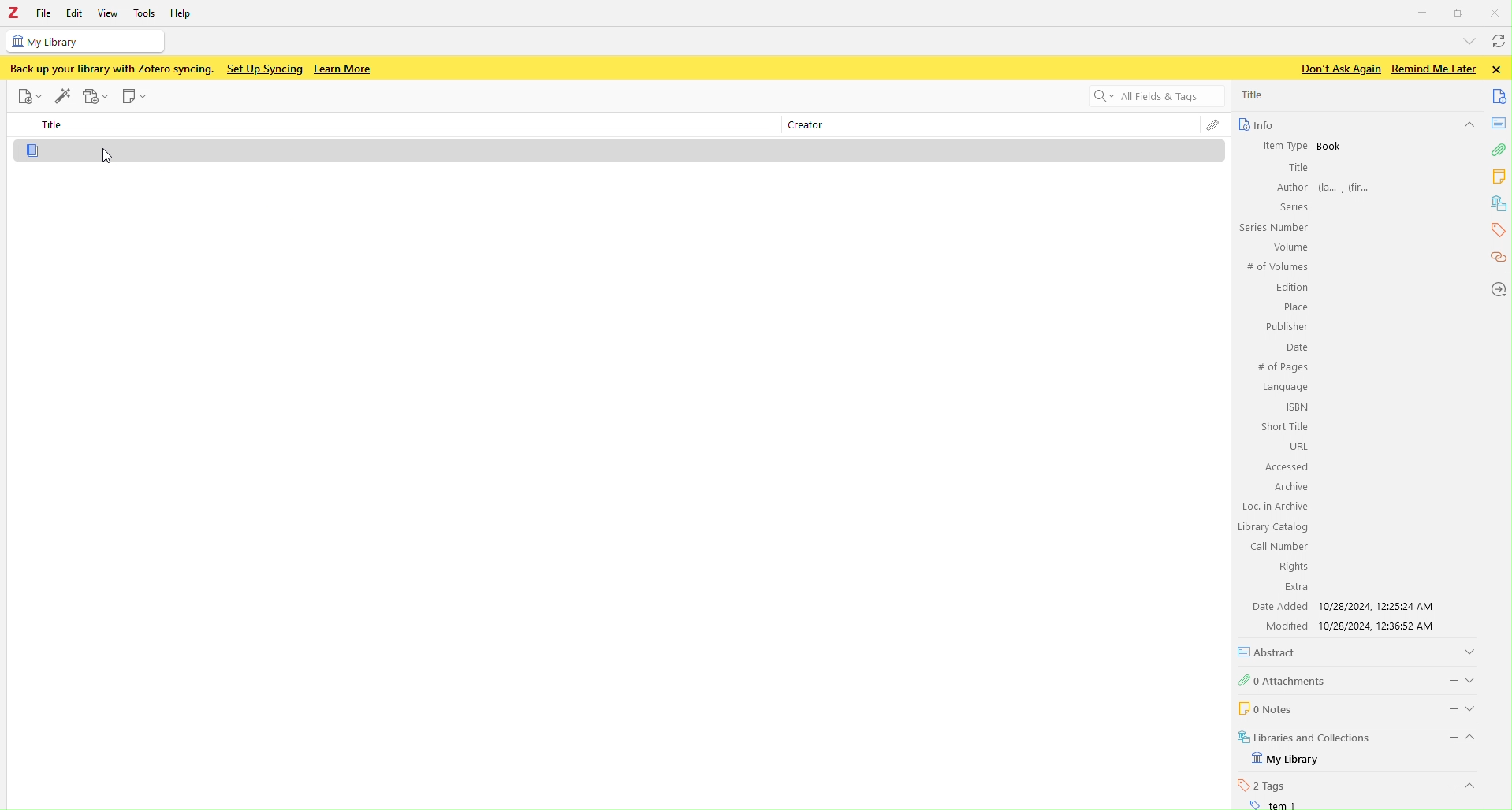 Image resolution: width=1512 pixels, height=810 pixels. Describe the element at coordinates (1330, 147) in the screenshot. I see `Book` at that location.